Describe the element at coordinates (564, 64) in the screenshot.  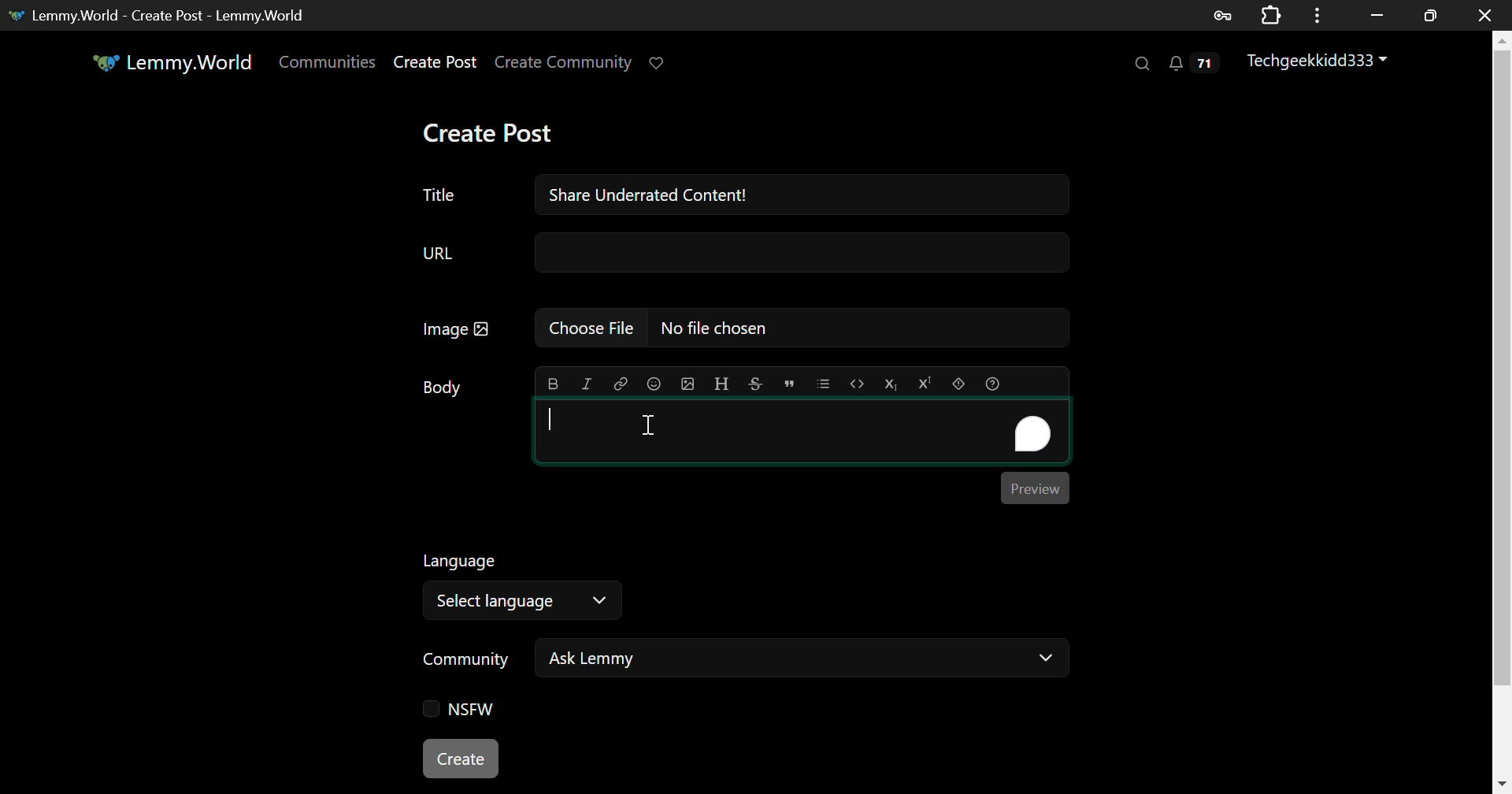
I see `Create Community` at that location.